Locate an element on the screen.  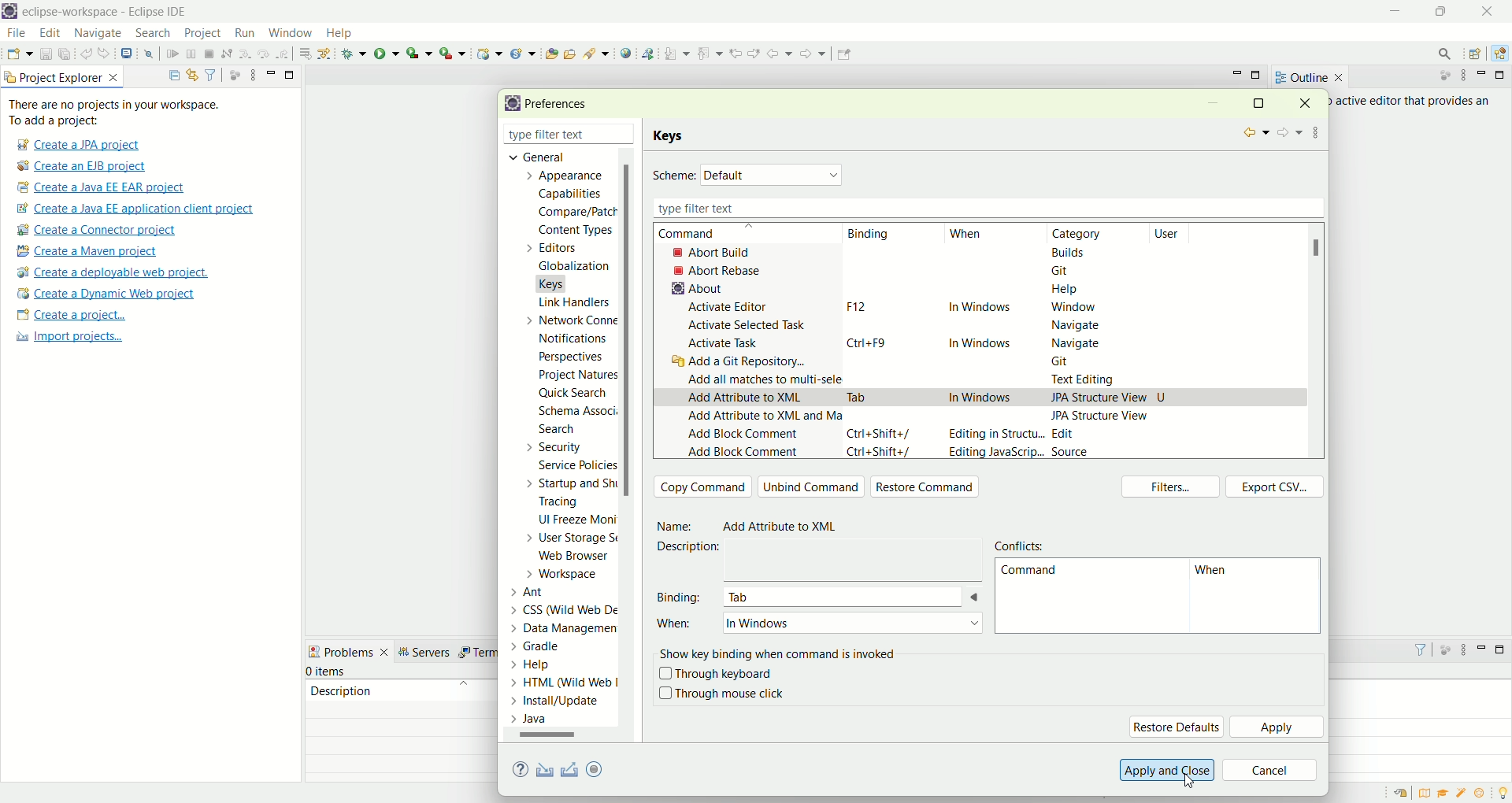
text editing is located at coordinates (1088, 380).